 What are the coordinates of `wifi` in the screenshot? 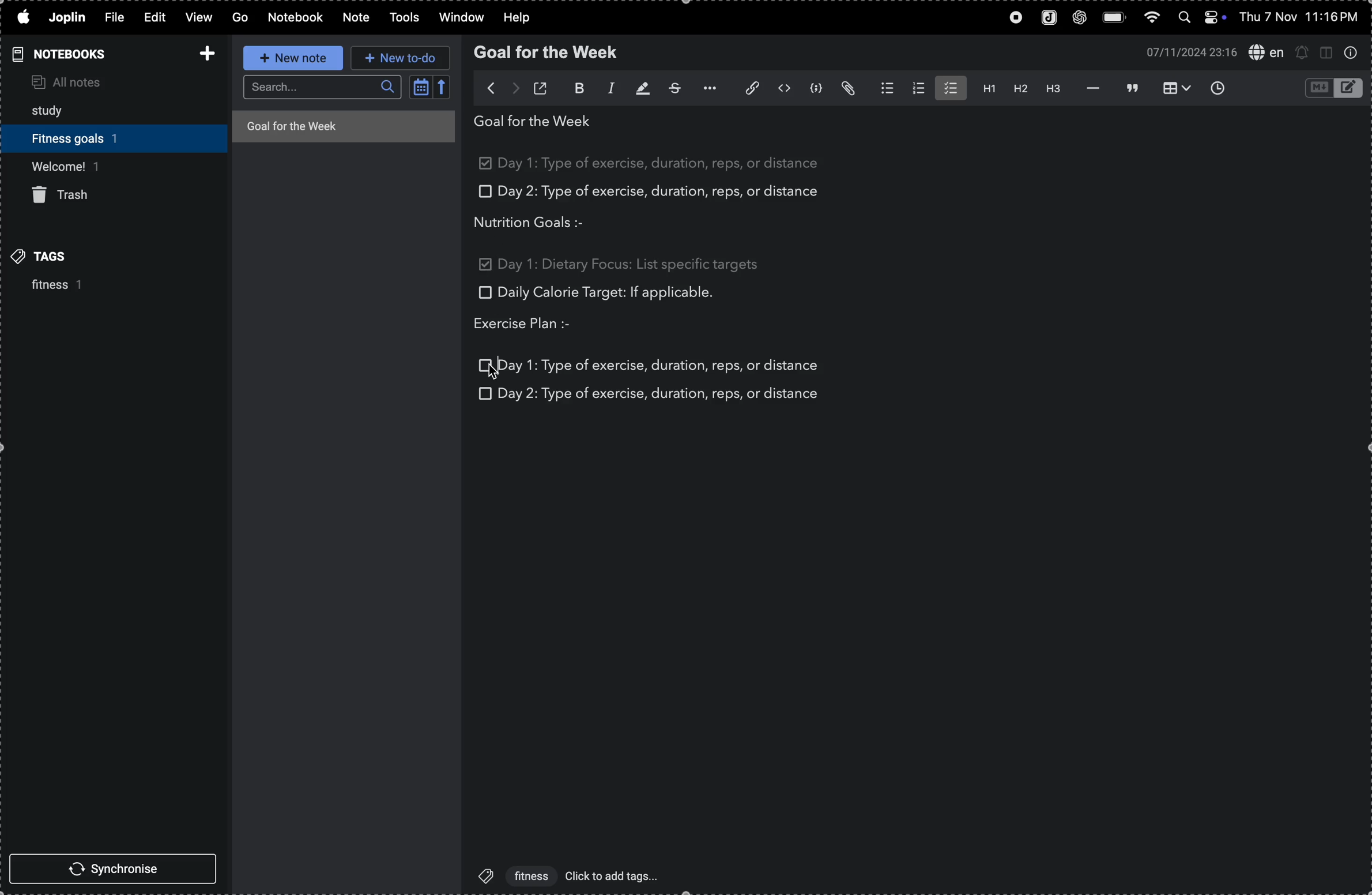 It's located at (1152, 17).